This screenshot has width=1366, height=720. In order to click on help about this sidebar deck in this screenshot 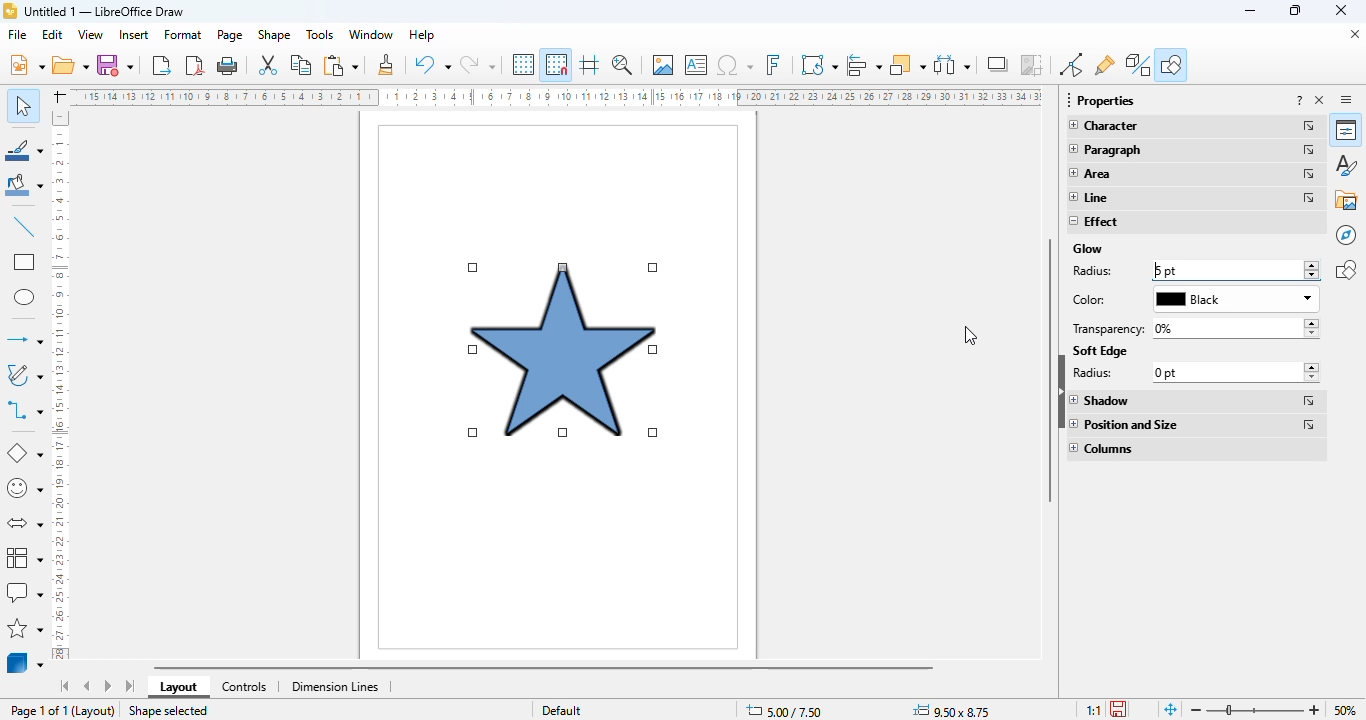, I will do `click(1300, 100)`.